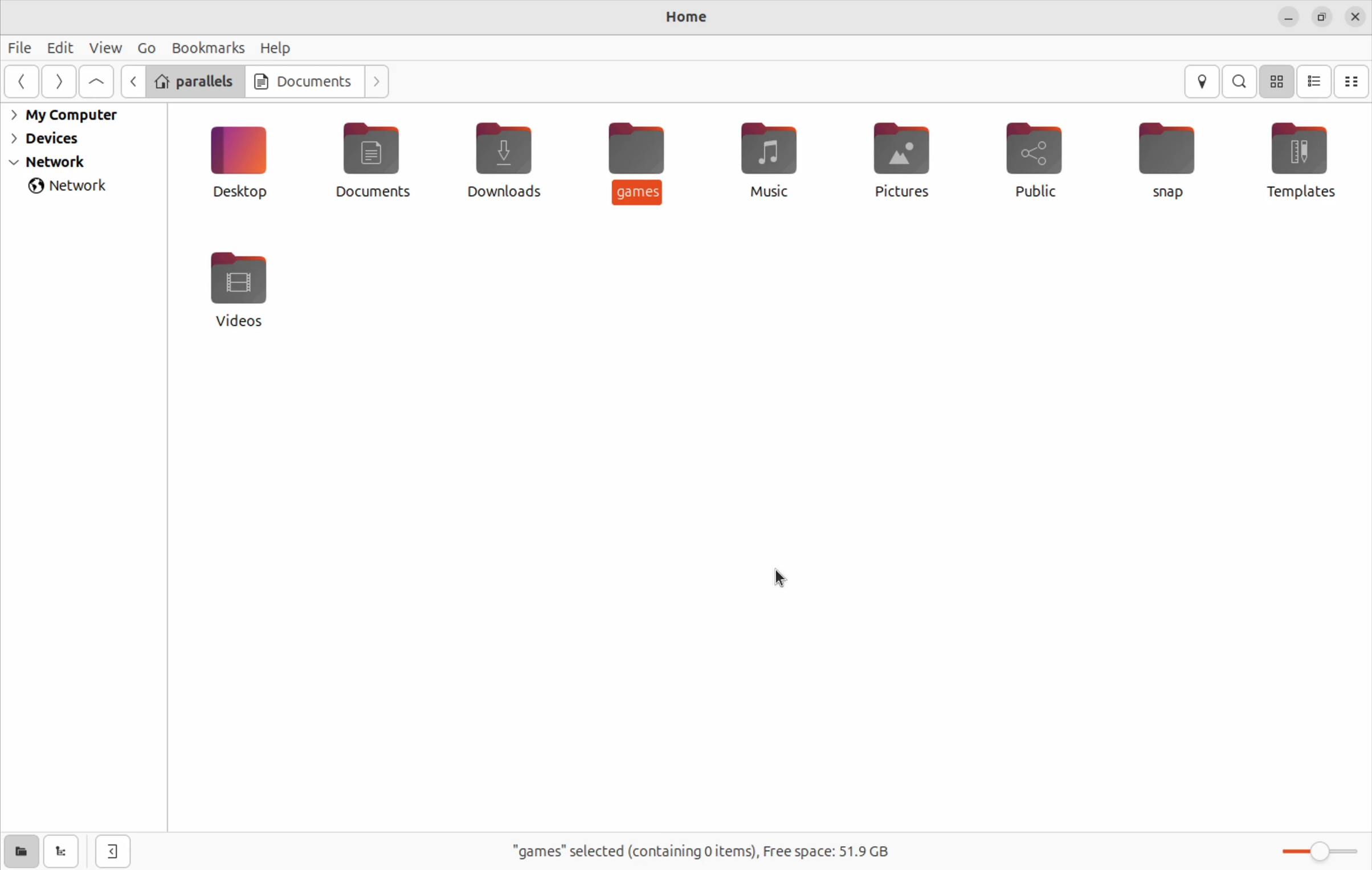 The height and width of the screenshot is (870, 1372). What do you see at coordinates (144, 48) in the screenshot?
I see `Go` at bounding box center [144, 48].